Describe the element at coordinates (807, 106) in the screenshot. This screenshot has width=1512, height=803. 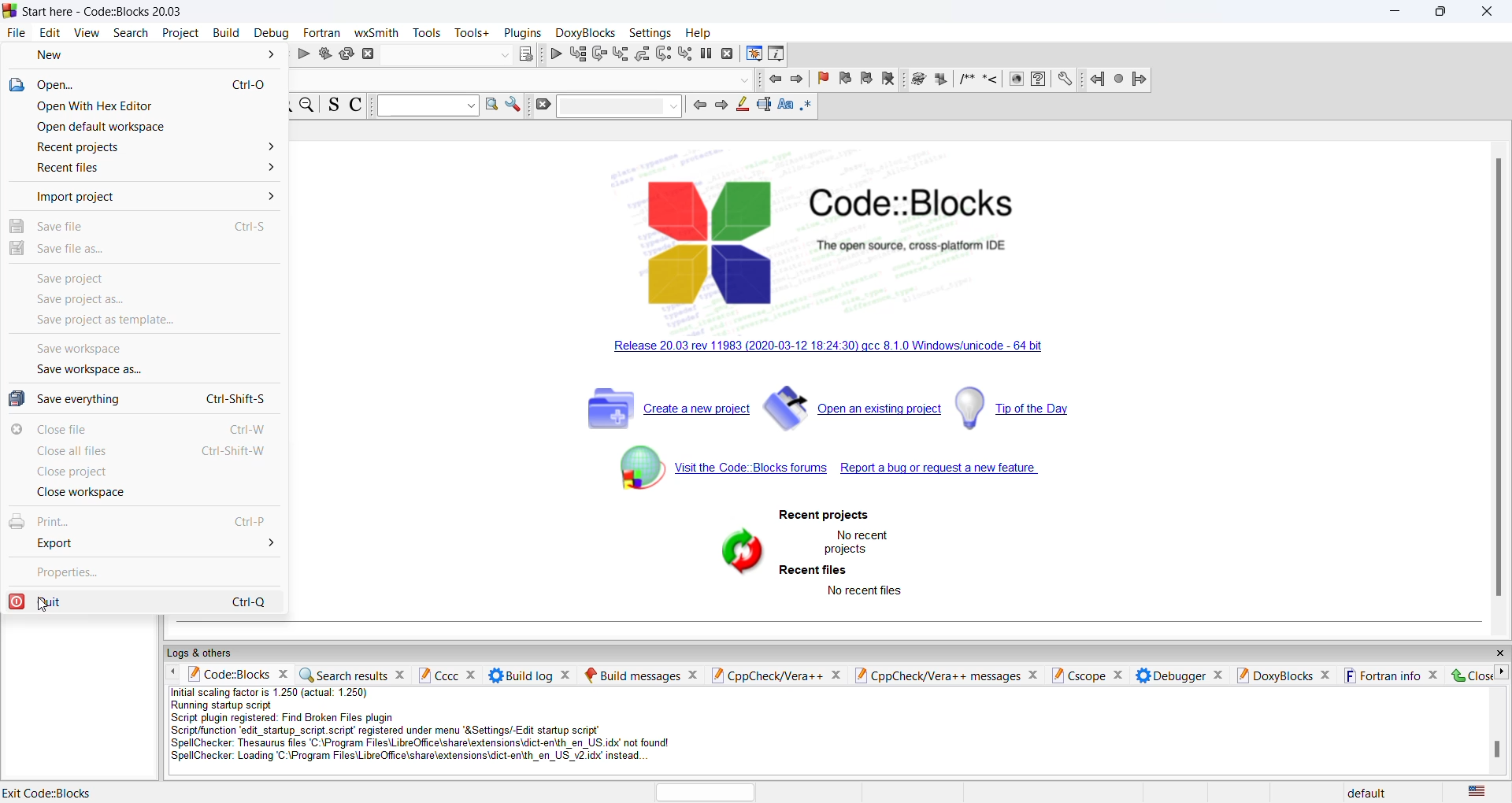
I see `use regex` at that location.